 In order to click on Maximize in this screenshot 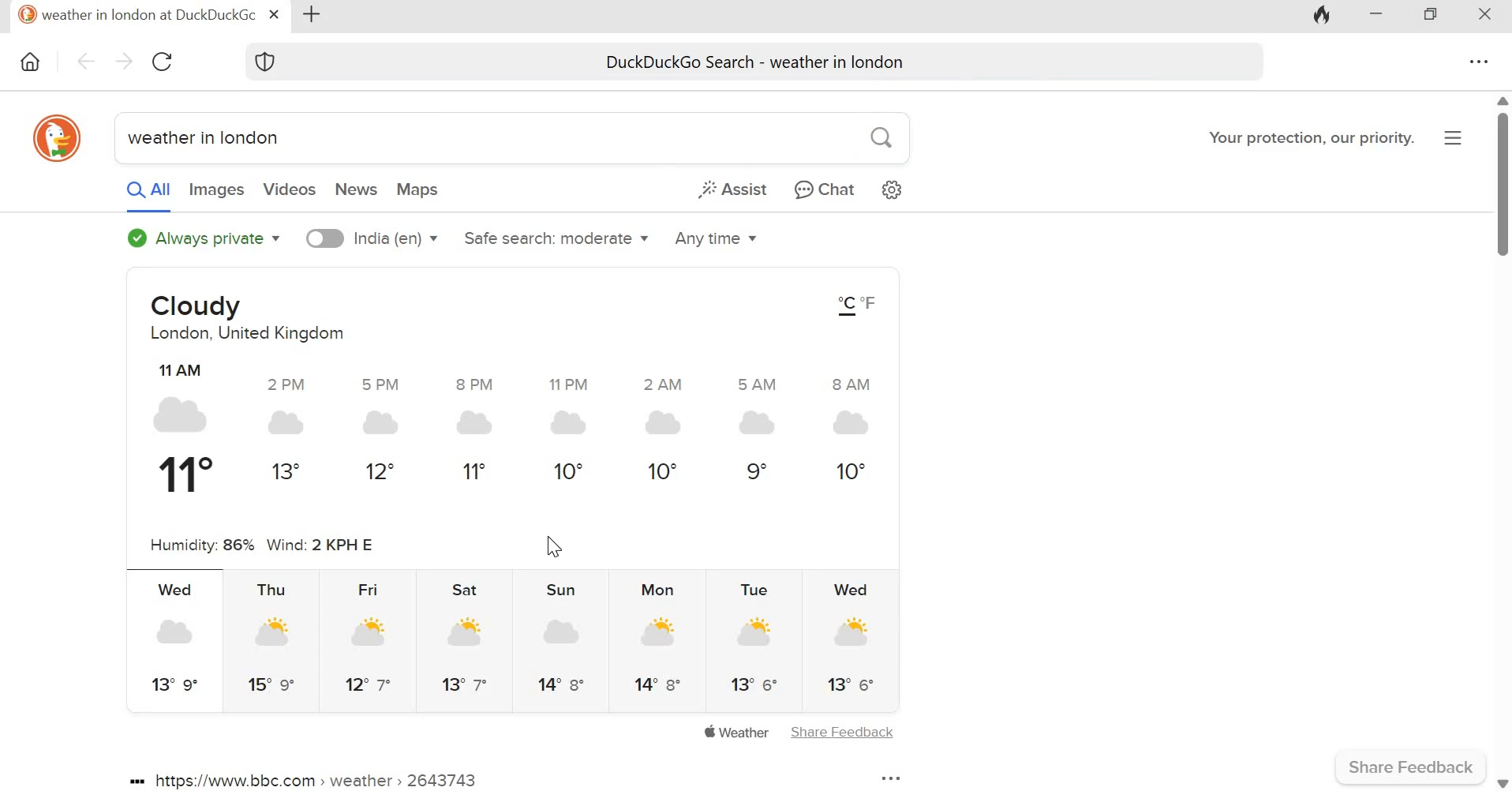, I will do `click(1432, 14)`.